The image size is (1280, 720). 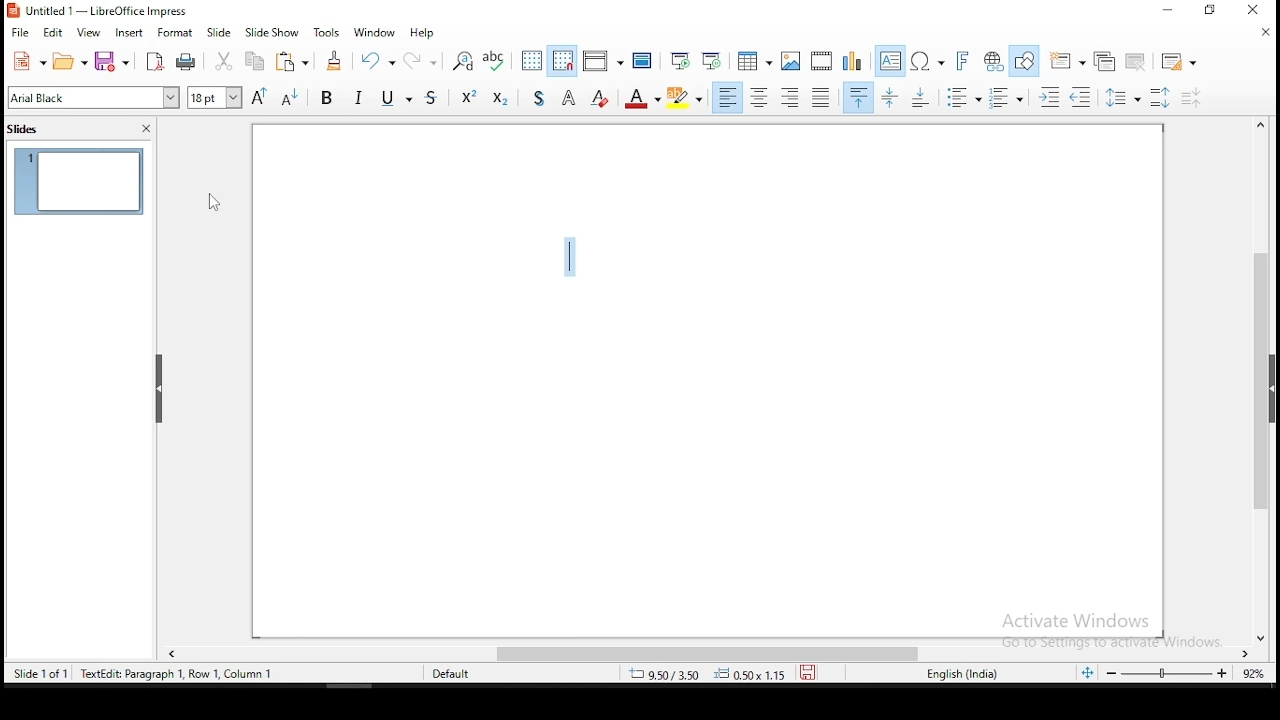 I want to click on Increase Indent, so click(x=1049, y=98).